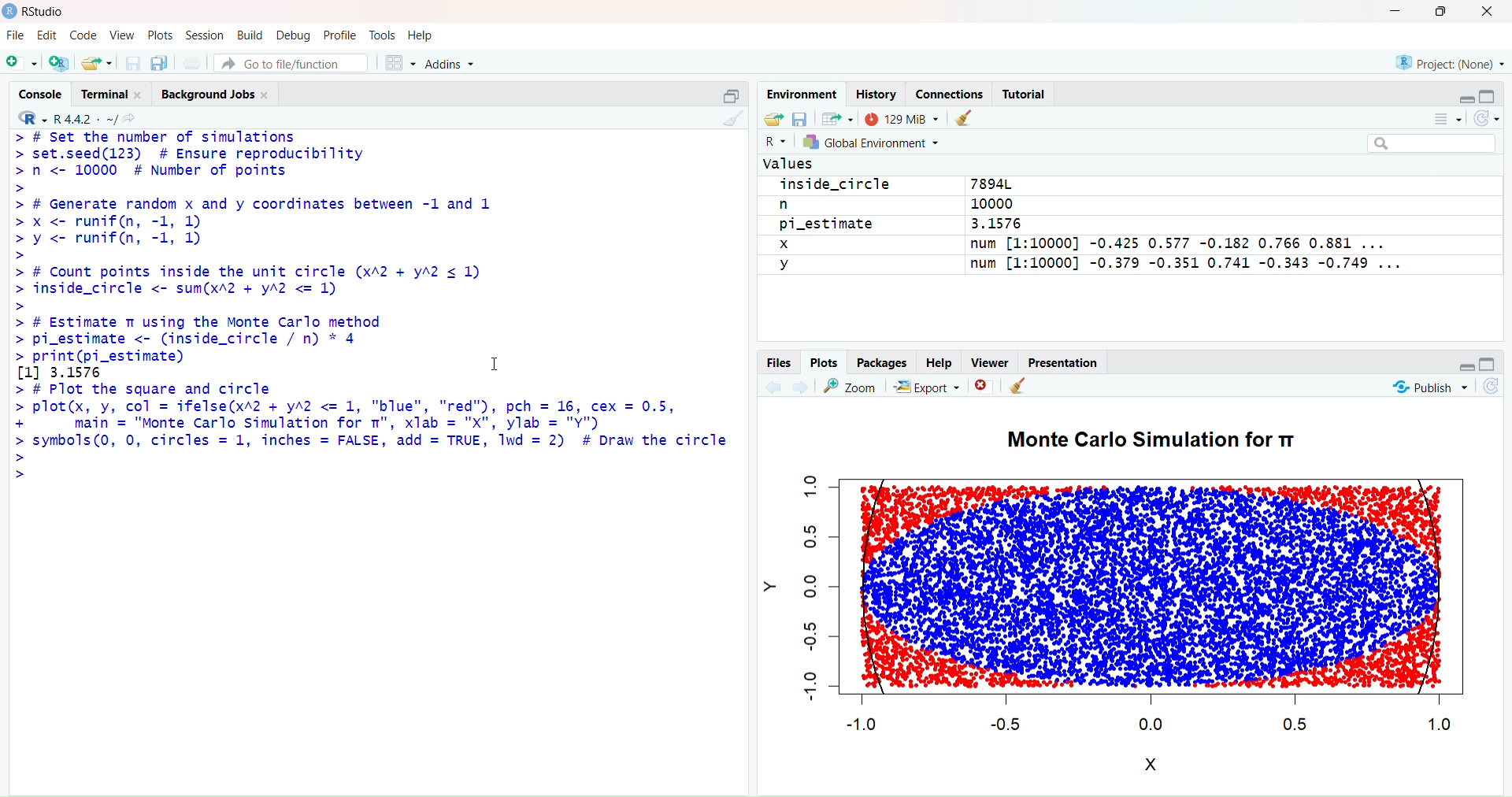 The width and height of the screenshot is (1512, 797). Describe the element at coordinates (990, 361) in the screenshot. I see `Viewer` at that location.